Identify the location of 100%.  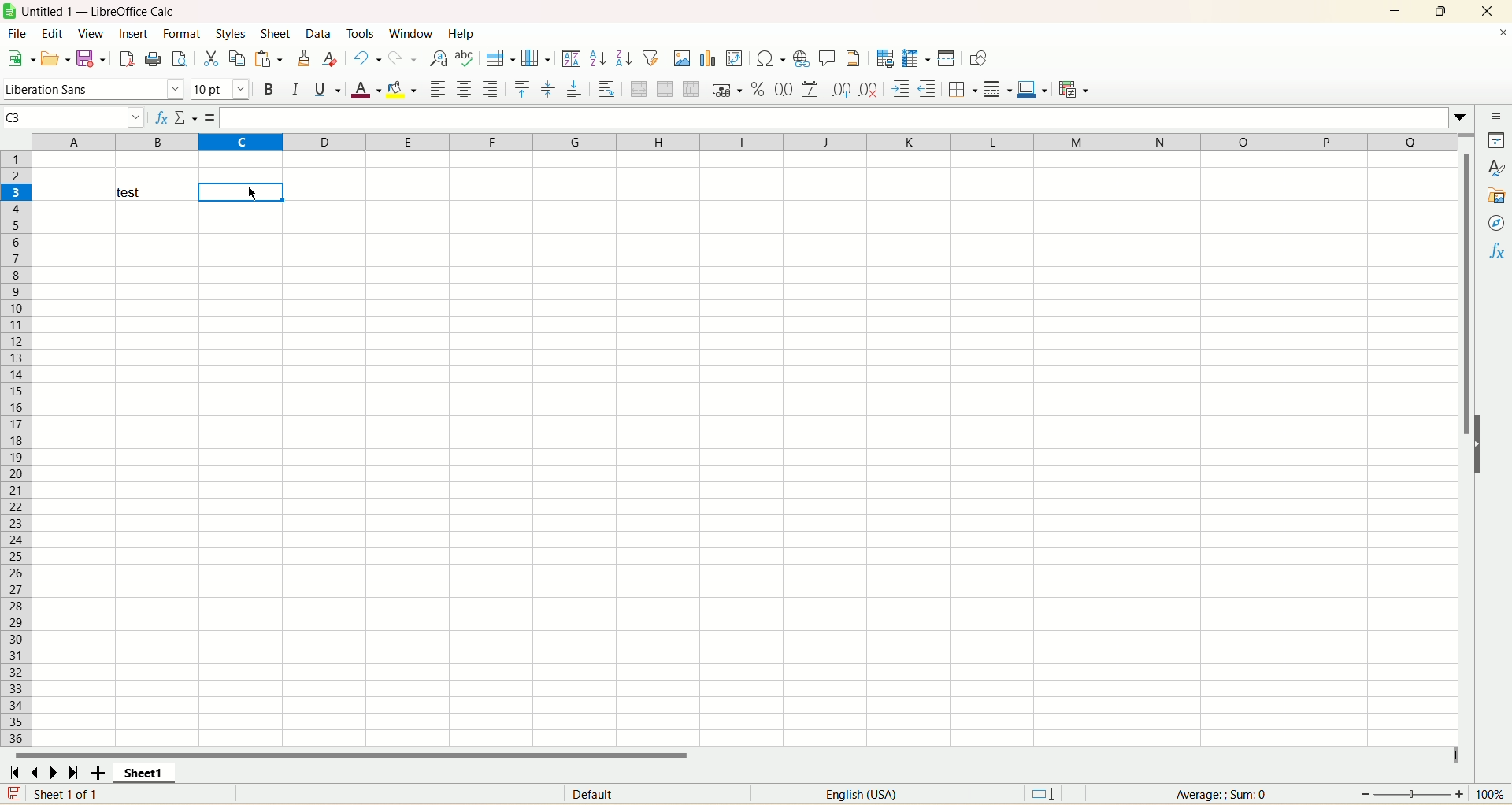
(1489, 794).